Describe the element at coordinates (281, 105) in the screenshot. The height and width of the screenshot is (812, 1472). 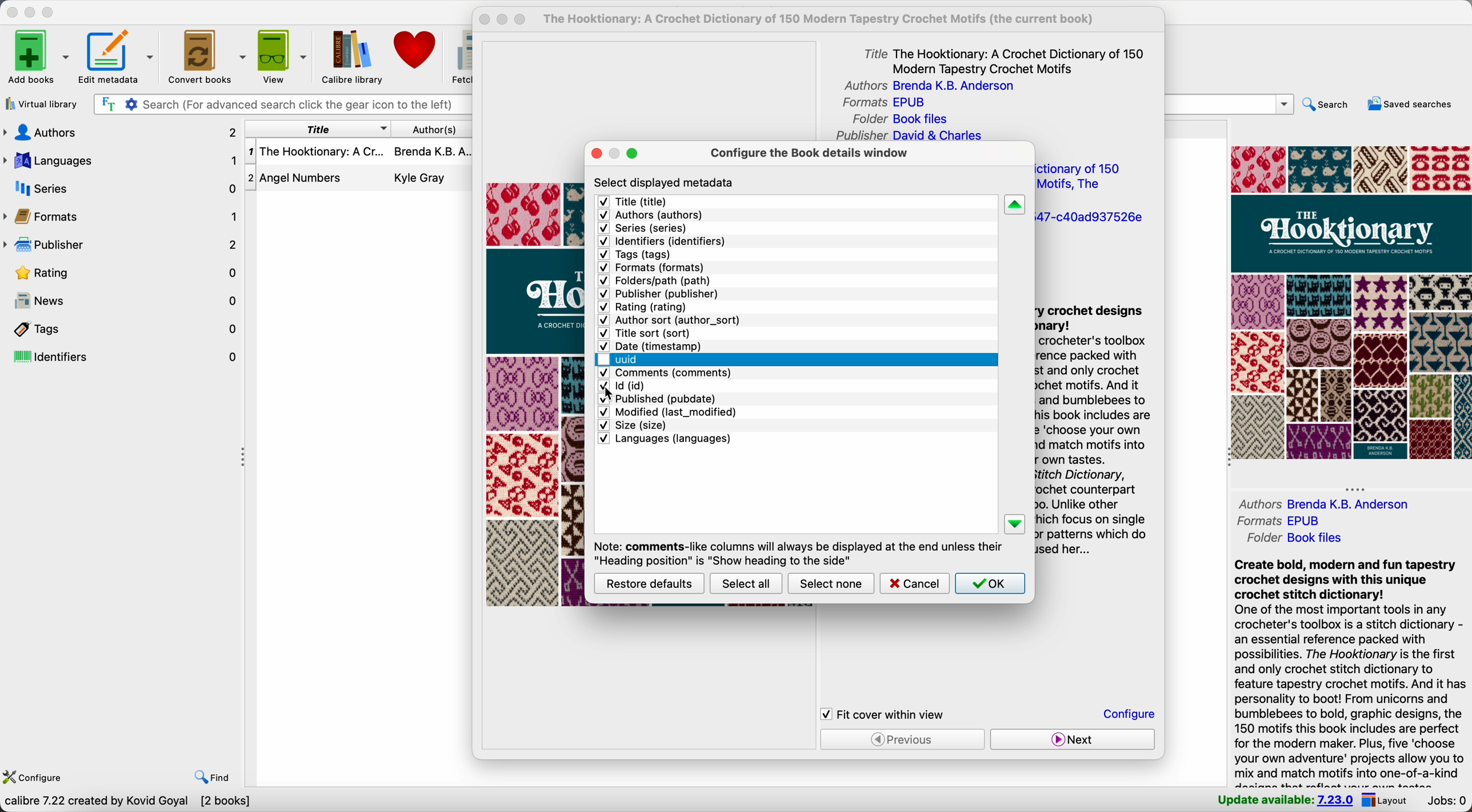
I see `search bar` at that location.